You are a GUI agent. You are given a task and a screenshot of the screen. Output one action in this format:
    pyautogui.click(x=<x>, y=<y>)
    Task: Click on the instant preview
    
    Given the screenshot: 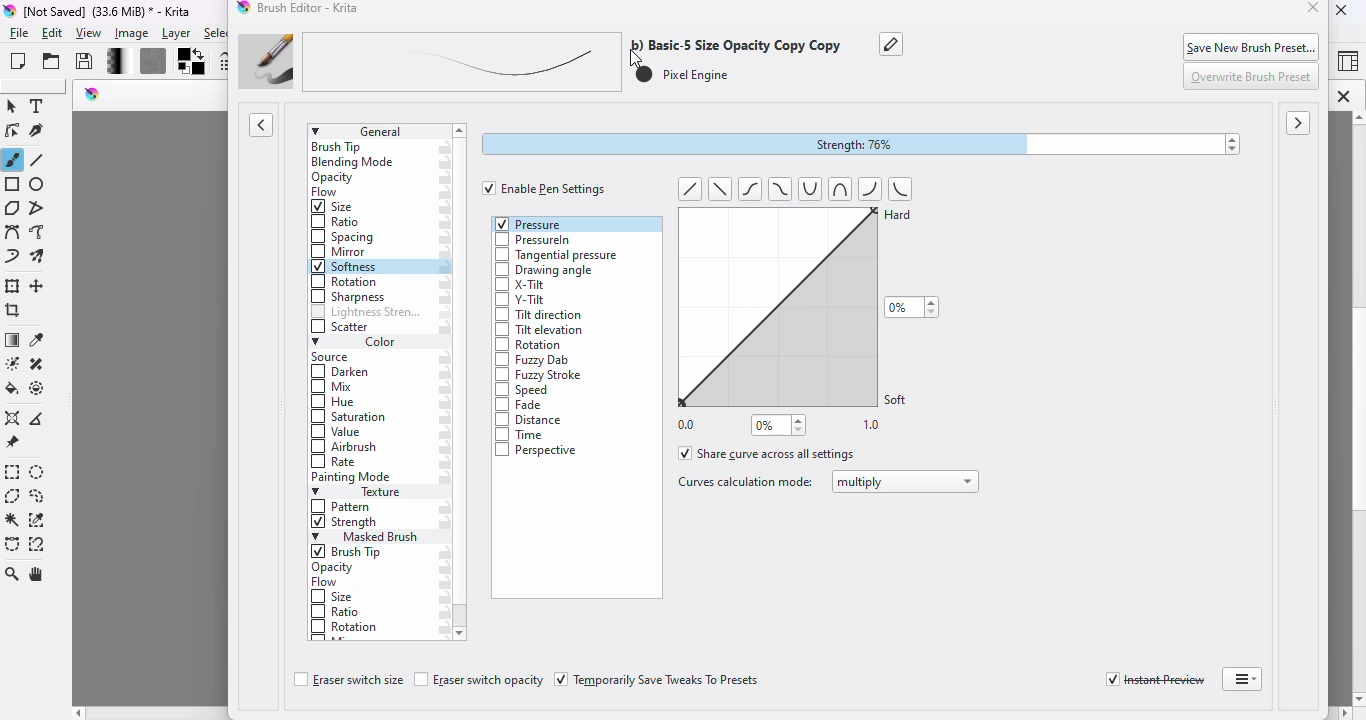 What is the action you would take?
    pyautogui.click(x=1155, y=680)
    